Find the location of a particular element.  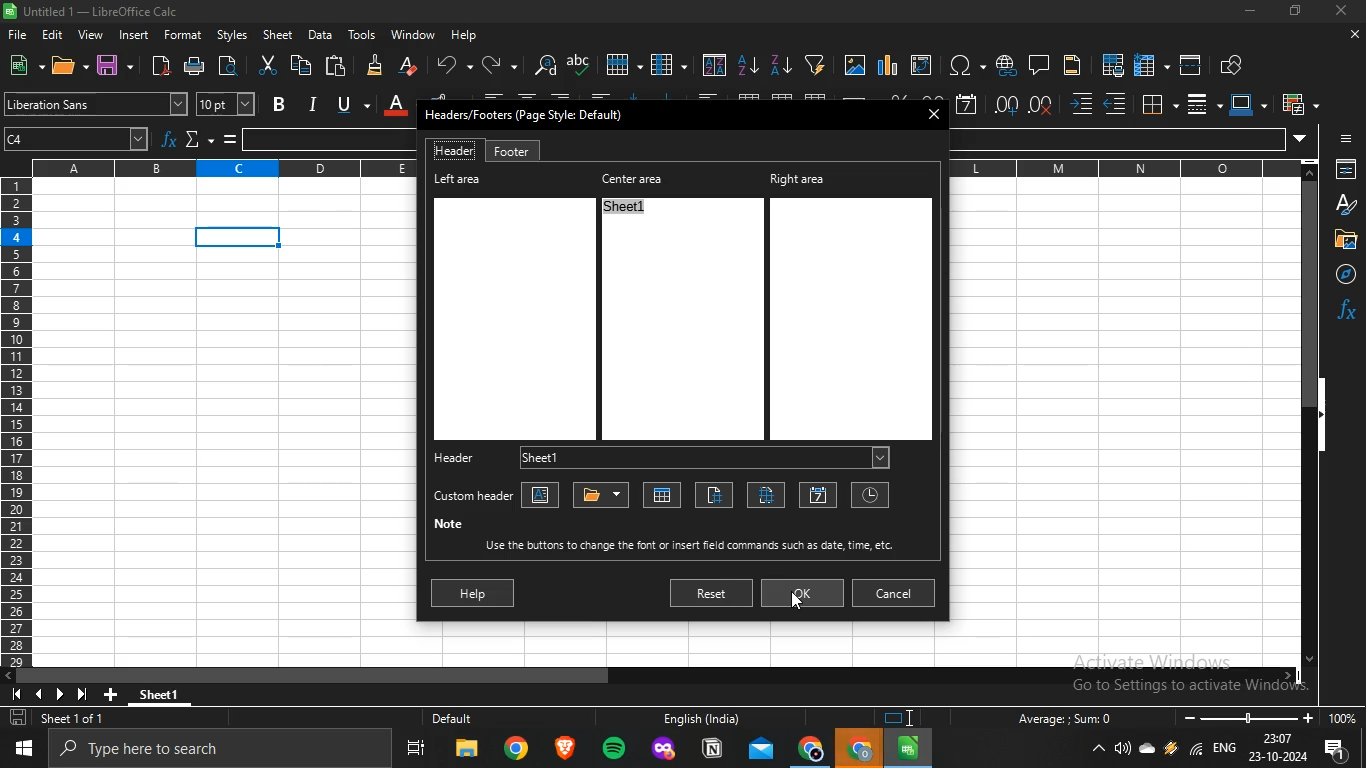

print is located at coordinates (197, 66).